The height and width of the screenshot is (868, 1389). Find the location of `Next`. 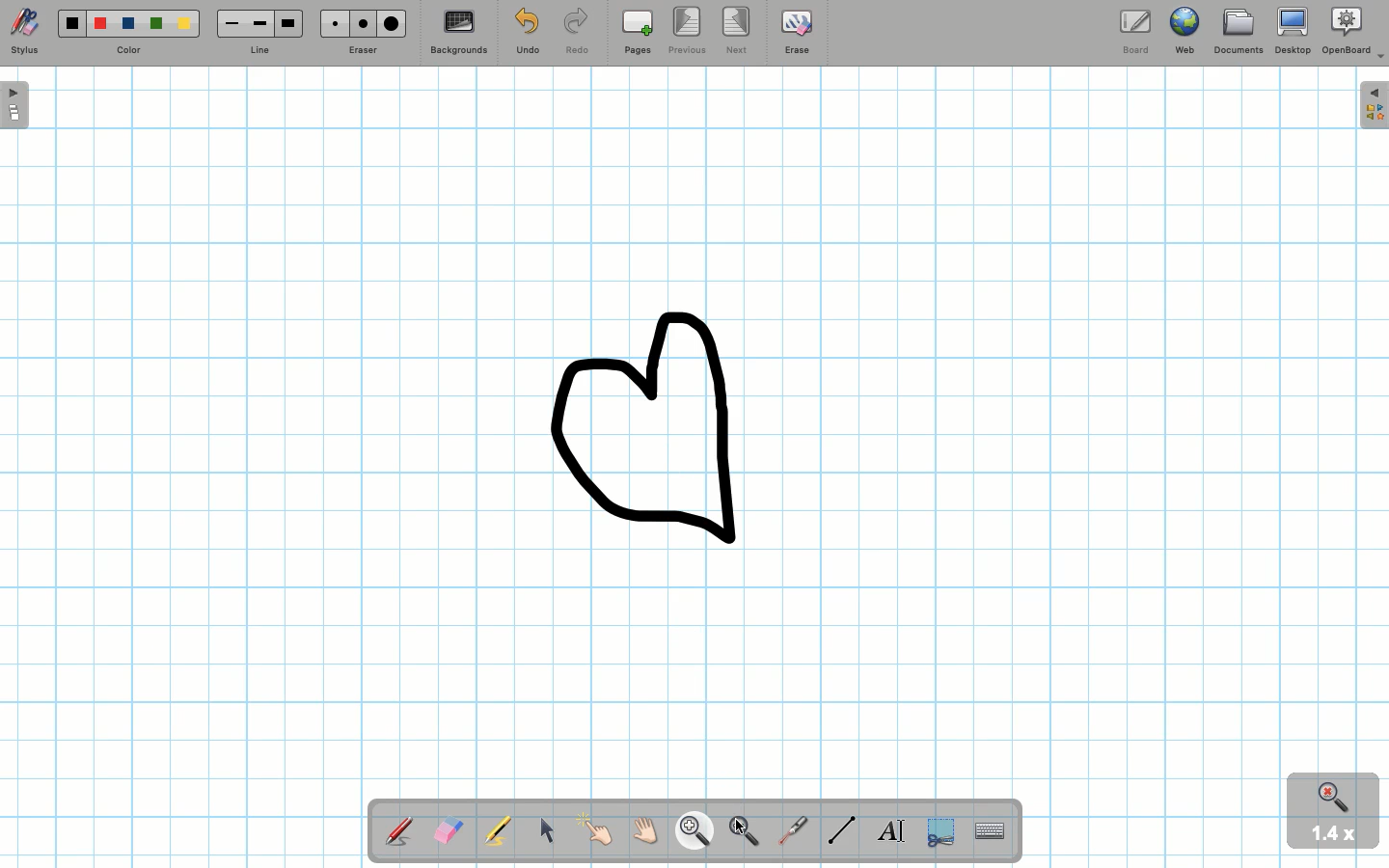

Next is located at coordinates (737, 30).